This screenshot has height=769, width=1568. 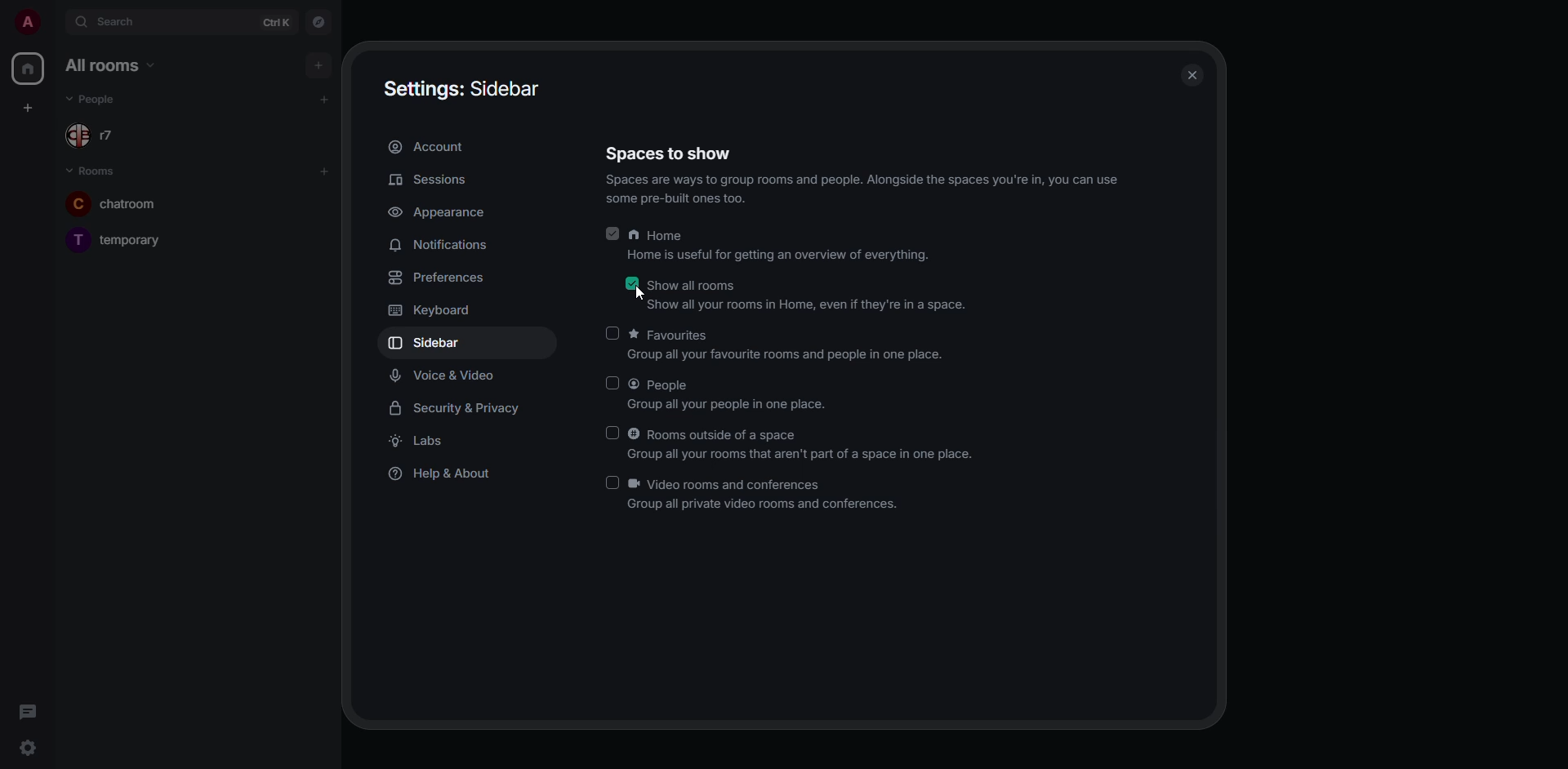 What do you see at coordinates (433, 312) in the screenshot?
I see `keyboard` at bounding box center [433, 312].